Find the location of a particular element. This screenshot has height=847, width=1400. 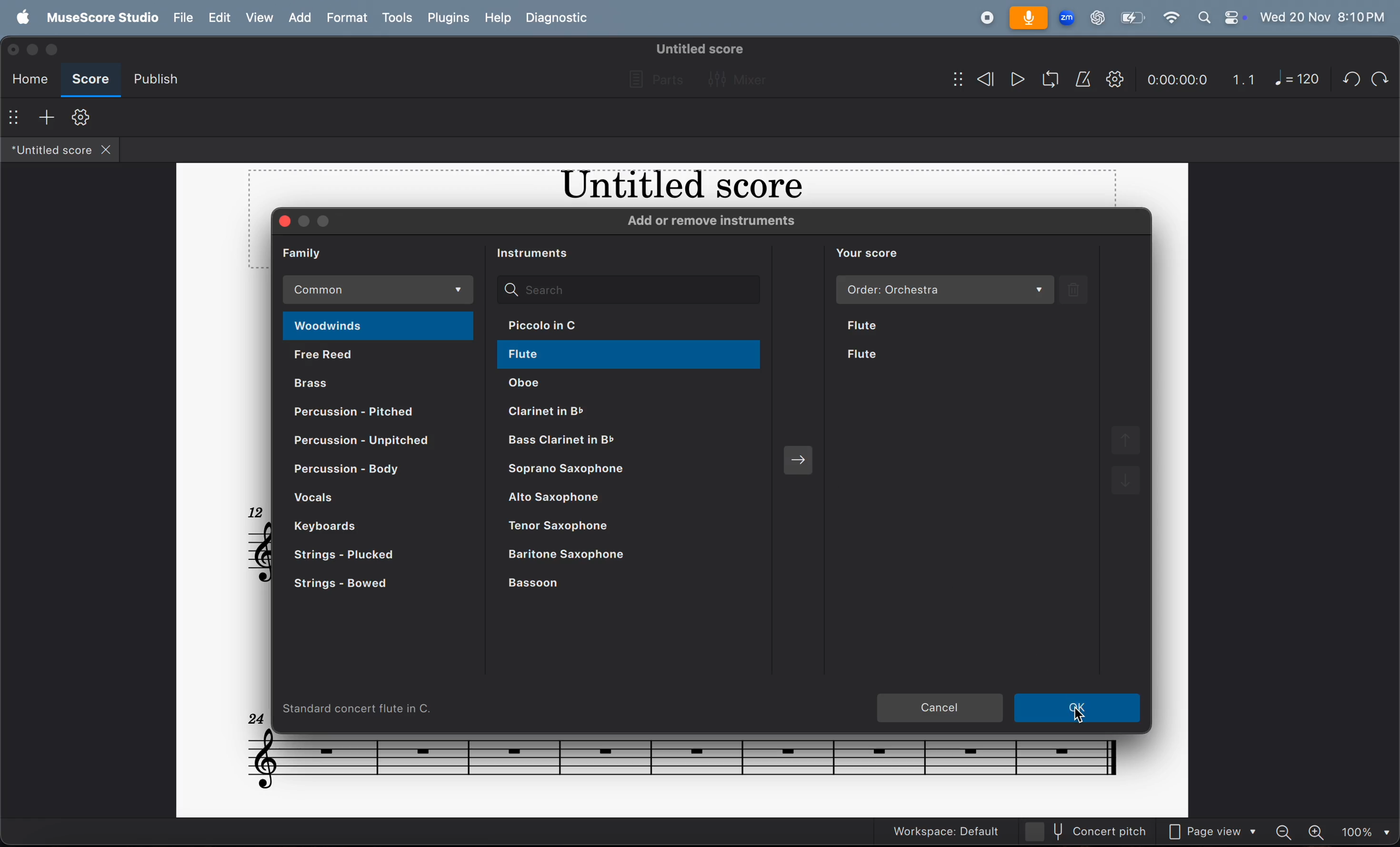

cursor is located at coordinates (1087, 723).